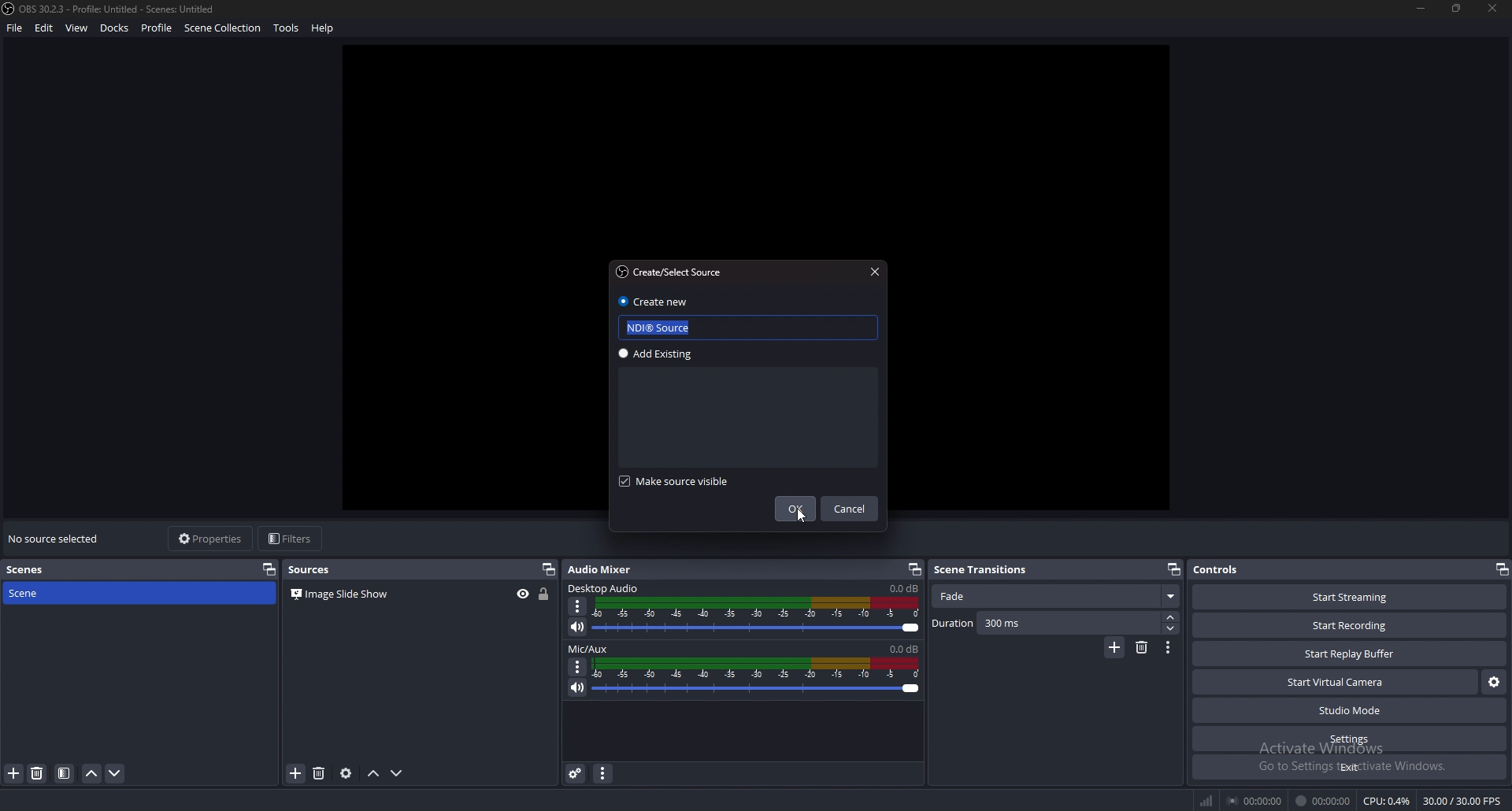  Describe the element at coordinates (1171, 617) in the screenshot. I see `increase duration` at that location.